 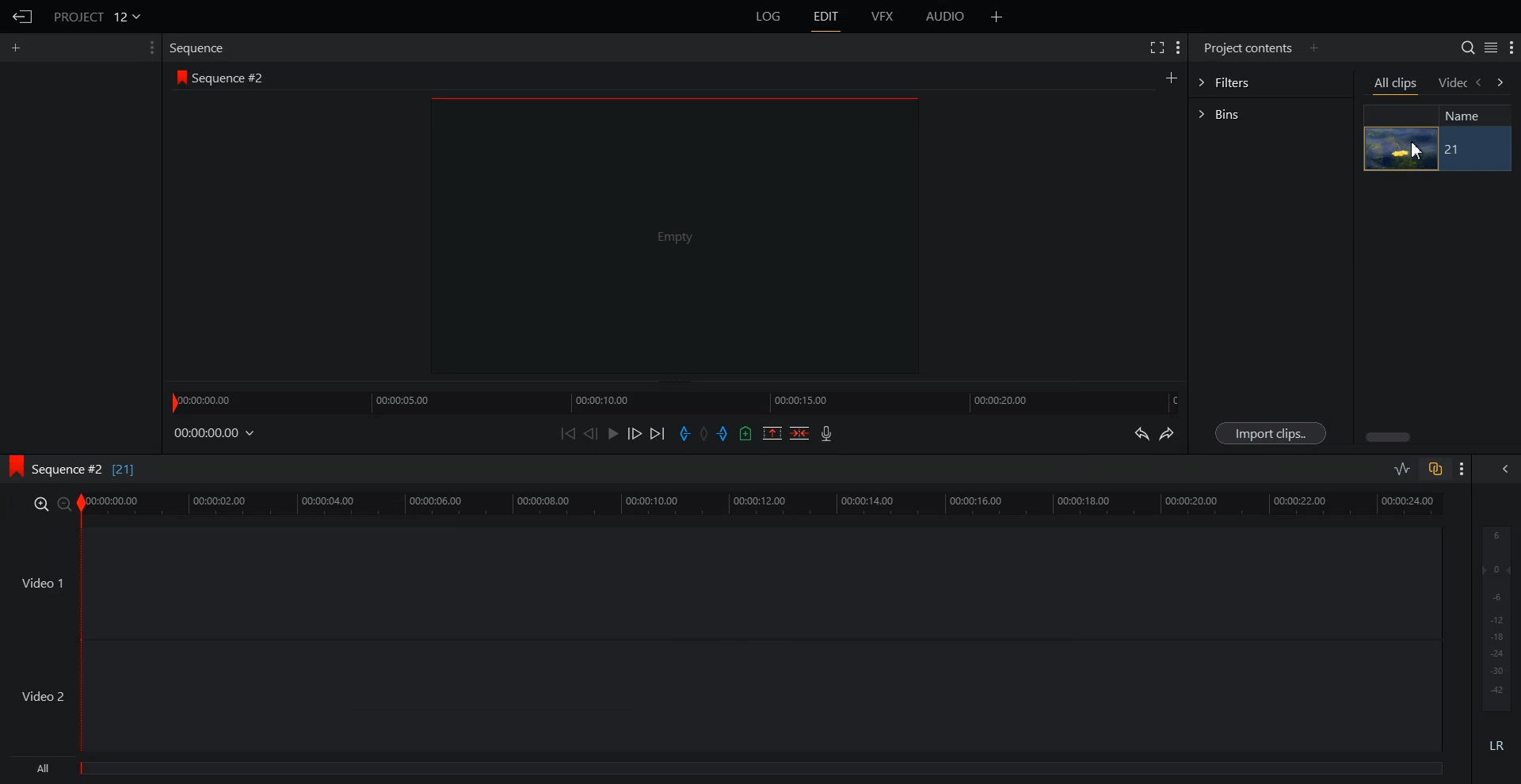 I want to click on Slider, so click(x=676, y=401).